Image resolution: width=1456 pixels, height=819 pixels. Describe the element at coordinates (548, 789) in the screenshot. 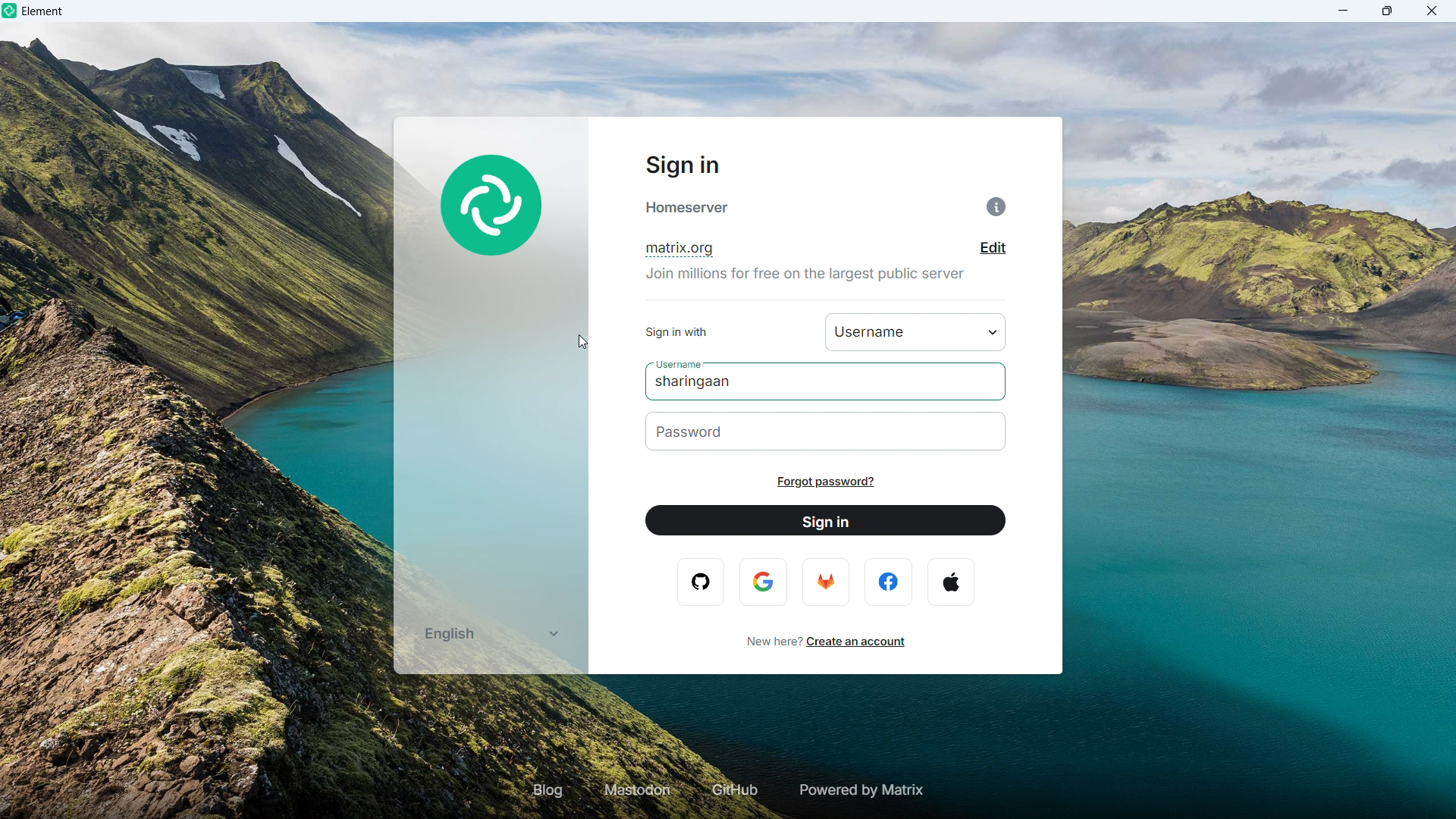

I see `Blog ` at that location.